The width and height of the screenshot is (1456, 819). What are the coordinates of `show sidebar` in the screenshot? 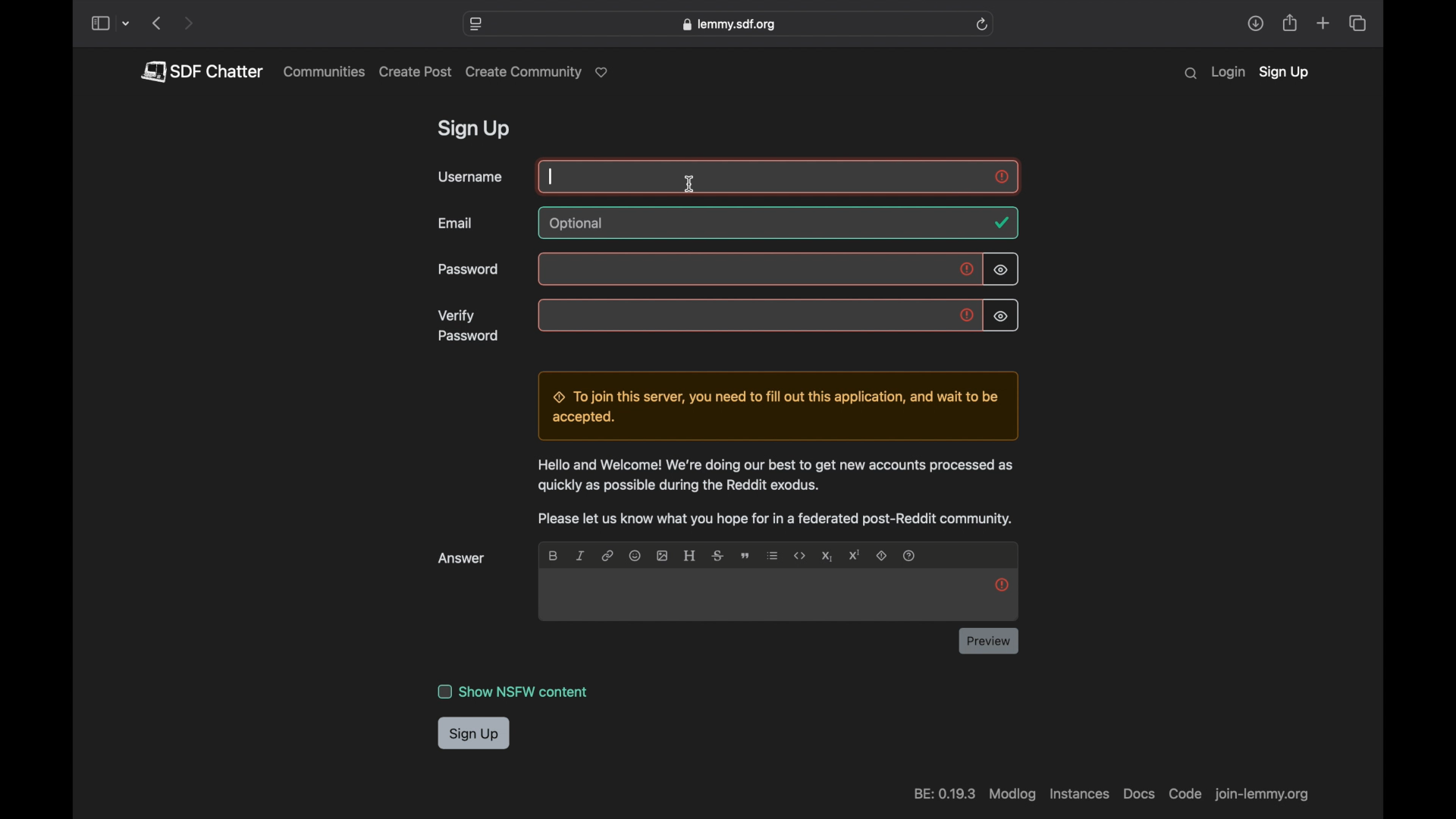 It's located at (99, 24).